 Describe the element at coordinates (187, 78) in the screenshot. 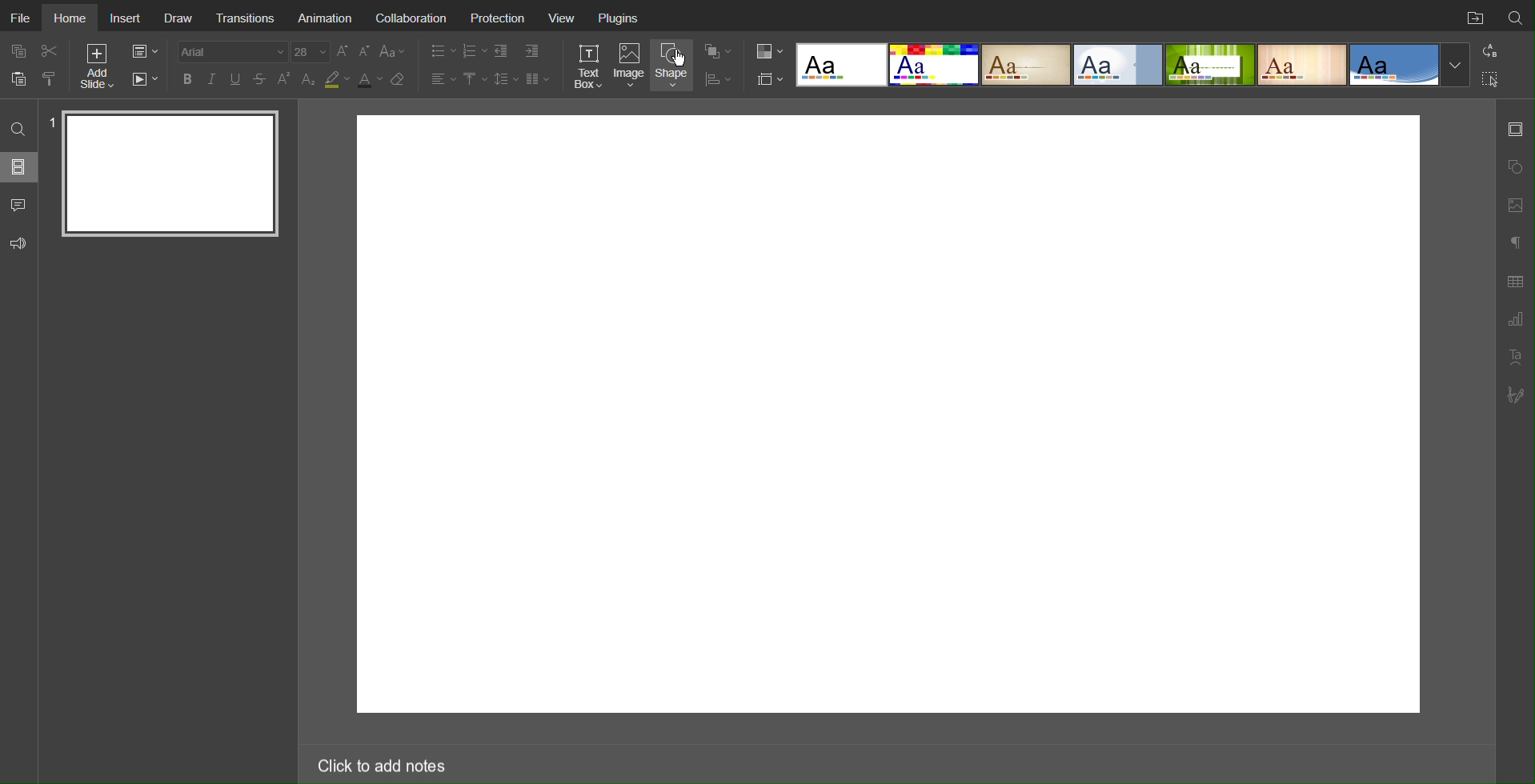

I see `Bold` at that location.